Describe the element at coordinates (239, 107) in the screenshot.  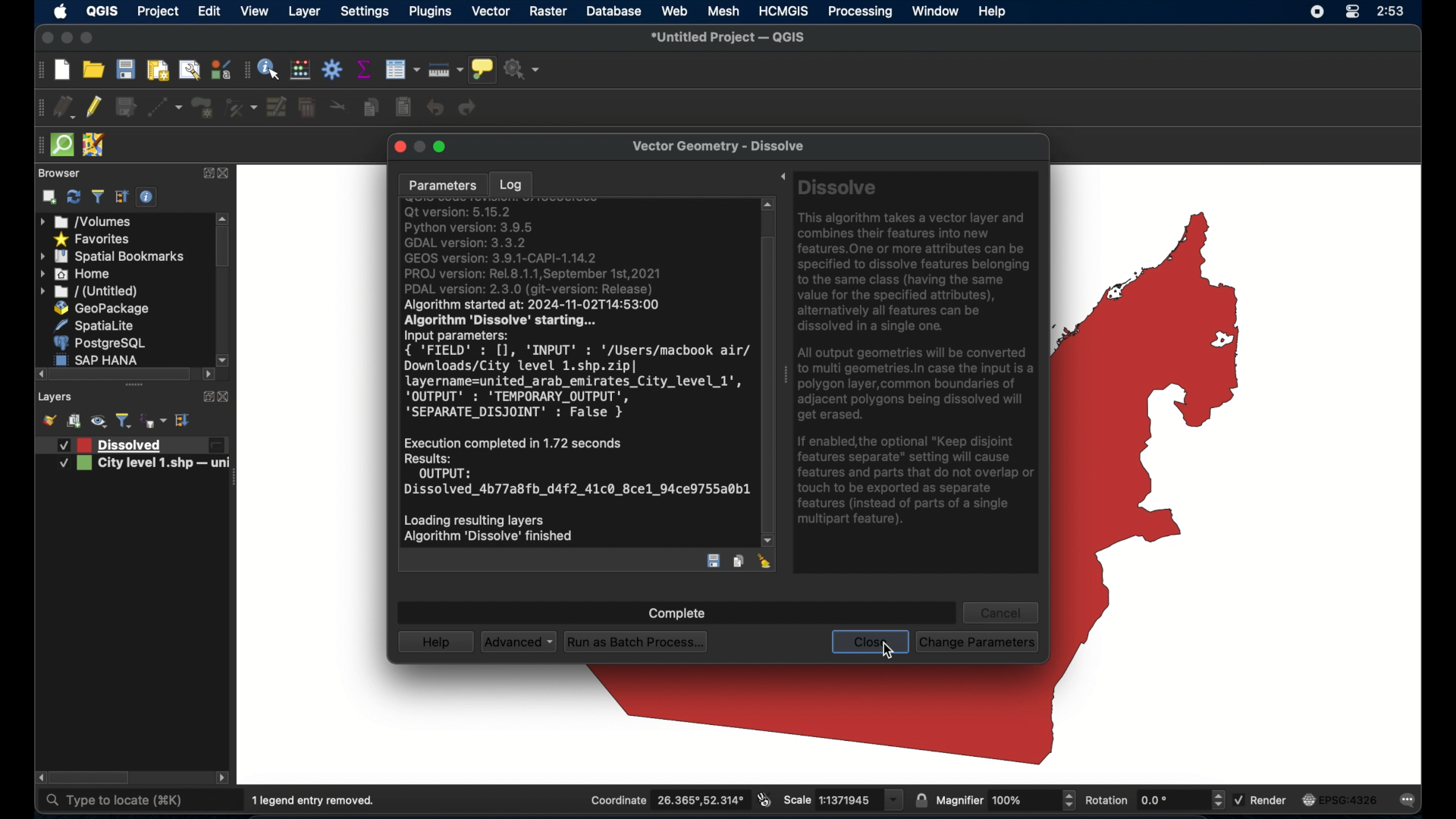
I see `vertes tool` at that location.